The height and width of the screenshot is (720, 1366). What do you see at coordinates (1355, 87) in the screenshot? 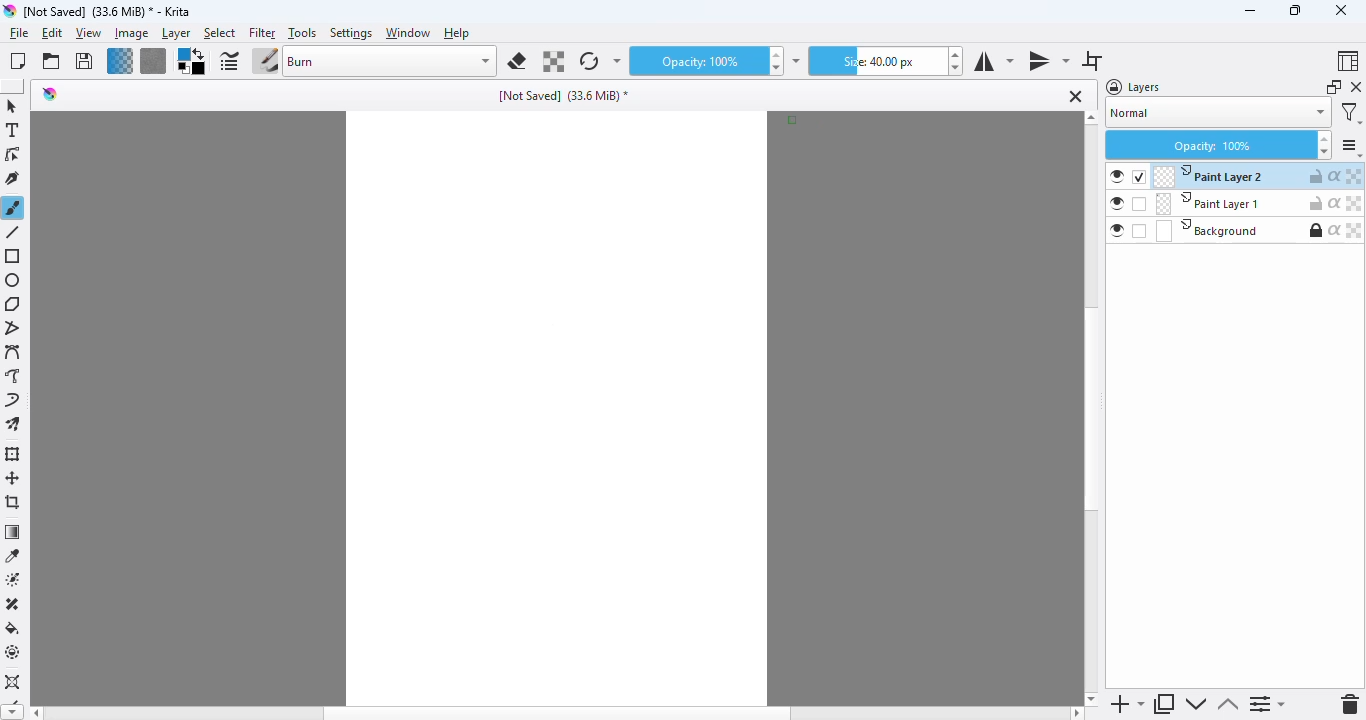
I see `close docker` at bounding box center [1355, 87].